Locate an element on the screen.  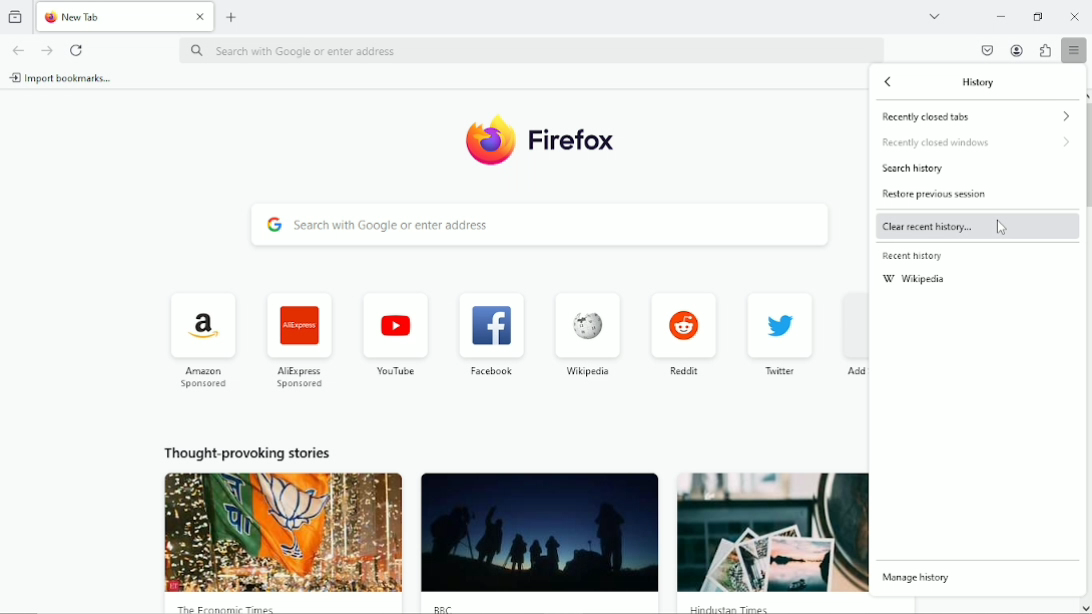
Hindustan Times is located at coordinates (735, 608).